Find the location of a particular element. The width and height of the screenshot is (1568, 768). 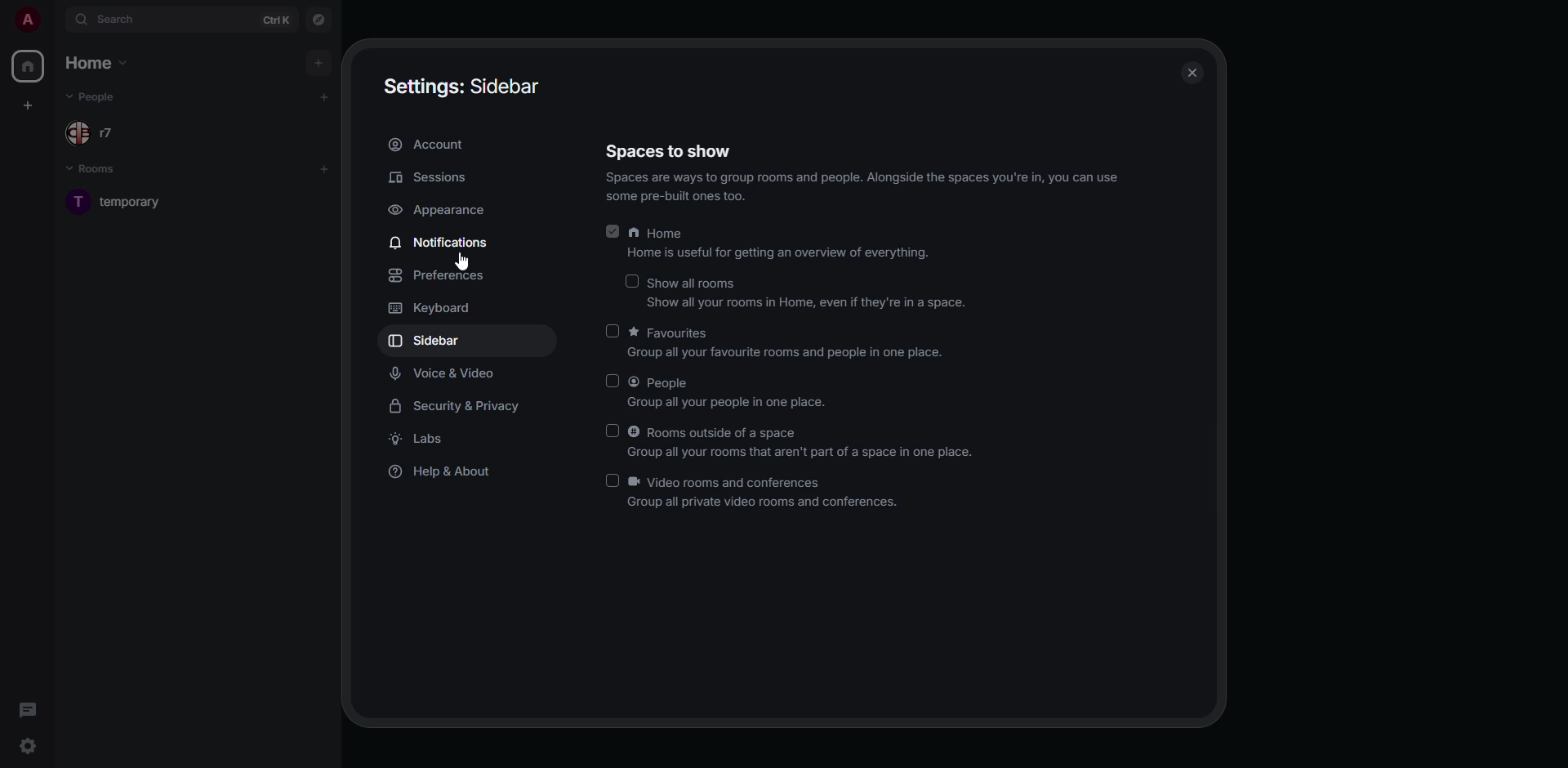

search is located at coordinates (121, 20).